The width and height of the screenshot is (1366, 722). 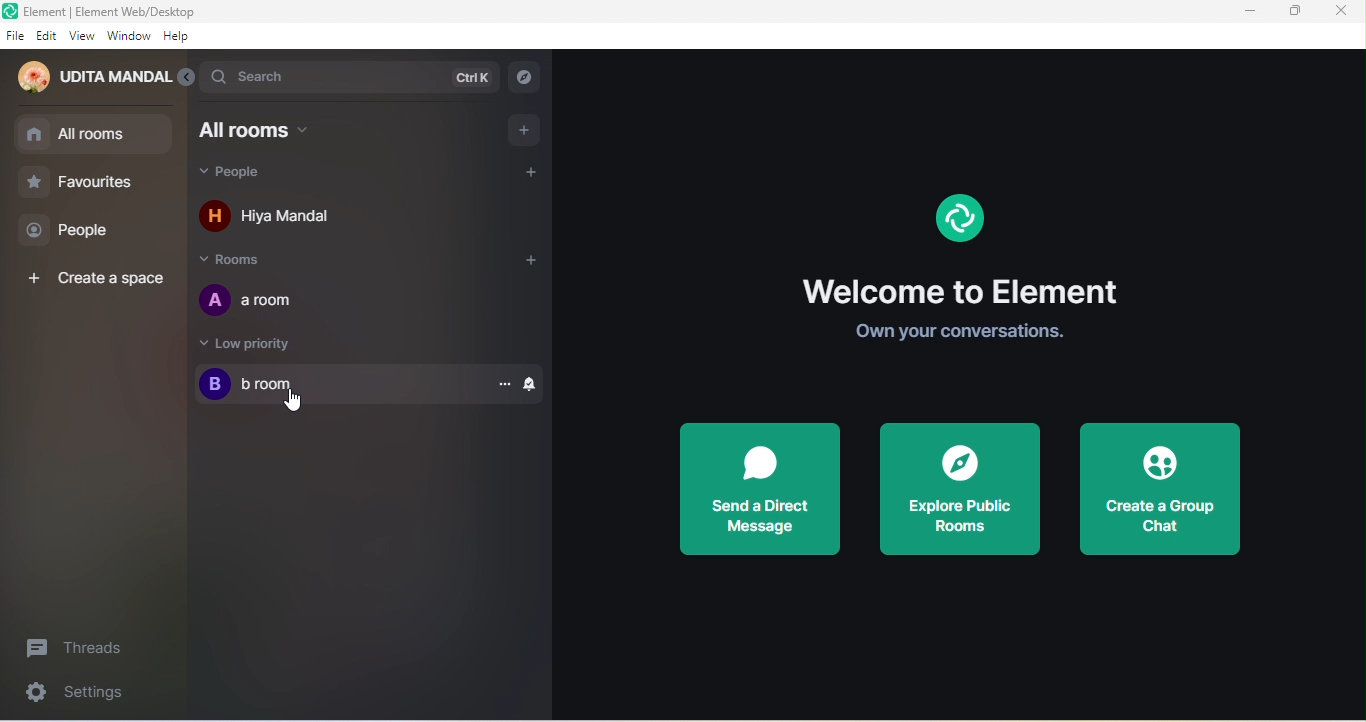 I want to click on window, so click(x=129, y=37).